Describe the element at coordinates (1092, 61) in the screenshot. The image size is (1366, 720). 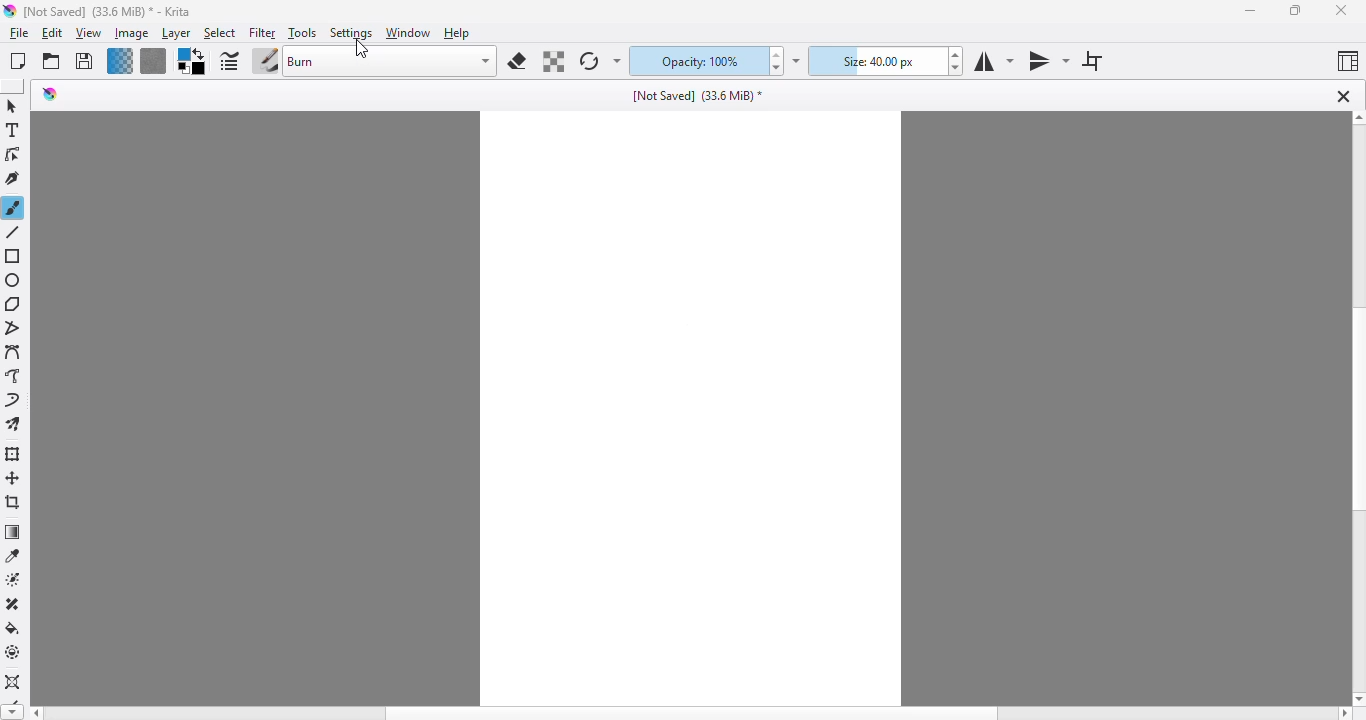
I see `wrap around mode` at that location.